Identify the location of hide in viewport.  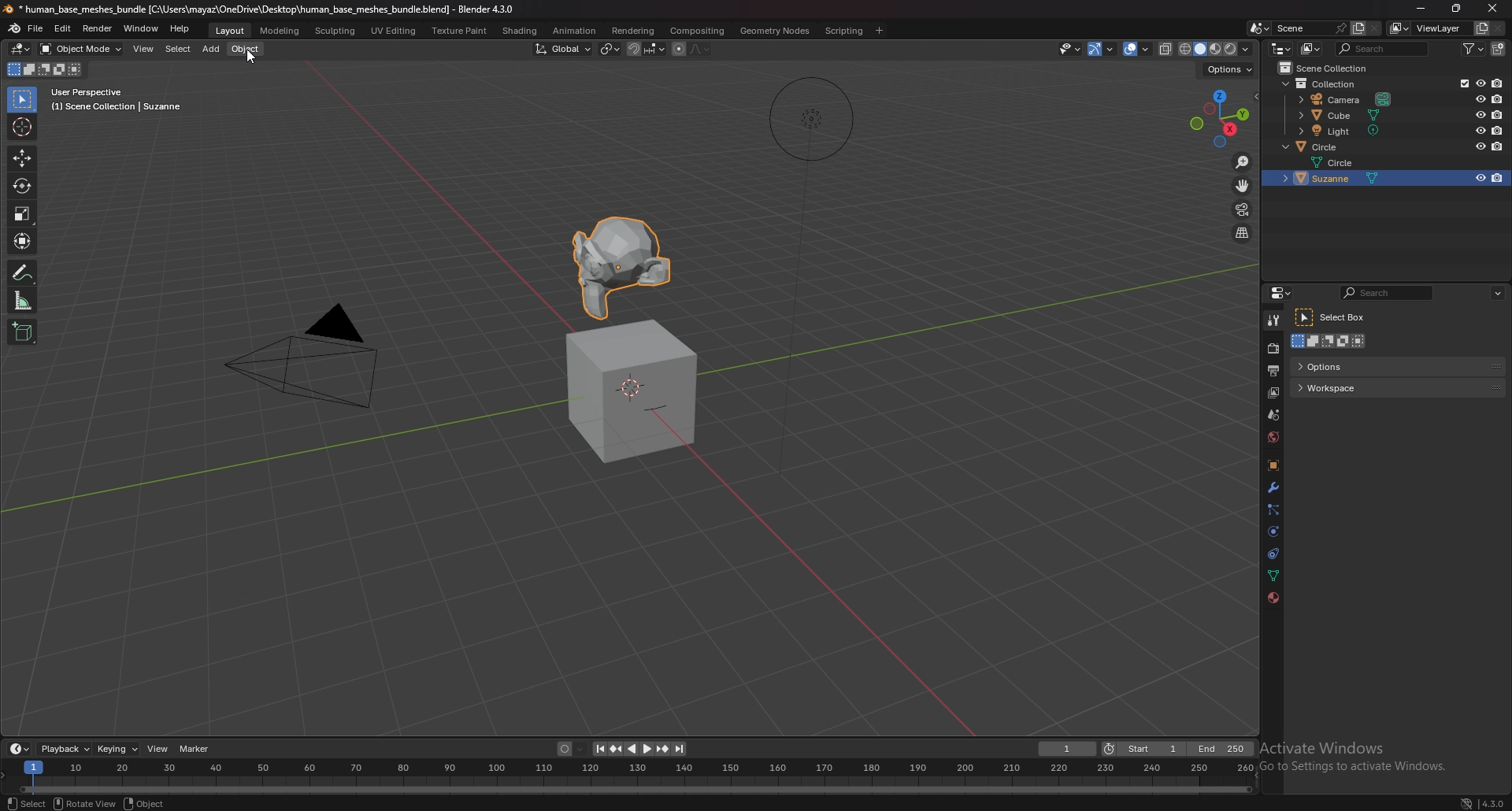
(1479, 83).